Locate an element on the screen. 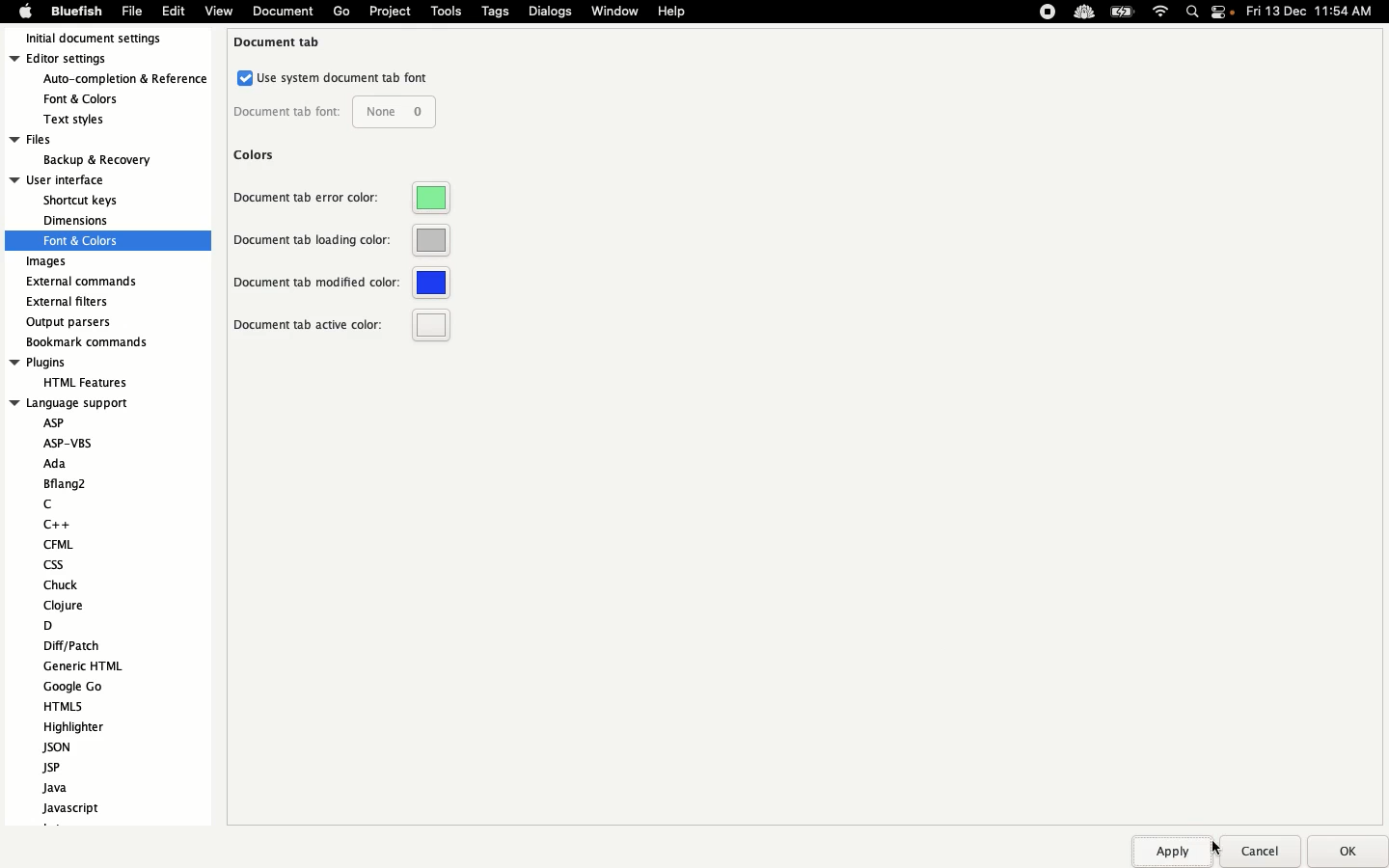 This screenshot has height=868, width=1389. Document tab loading color is located at coordinates (341, 244).